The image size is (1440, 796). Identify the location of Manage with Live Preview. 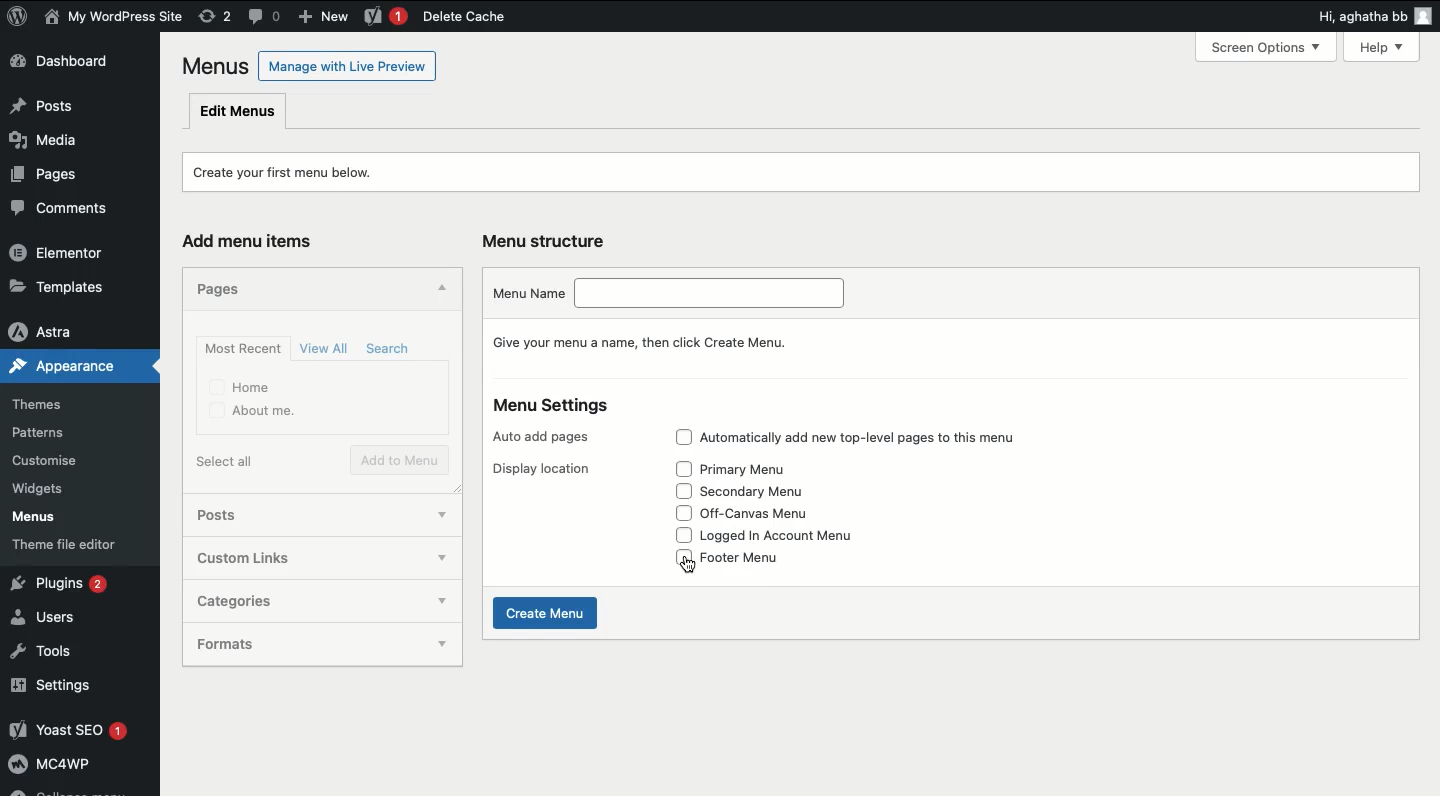
(347, 65).